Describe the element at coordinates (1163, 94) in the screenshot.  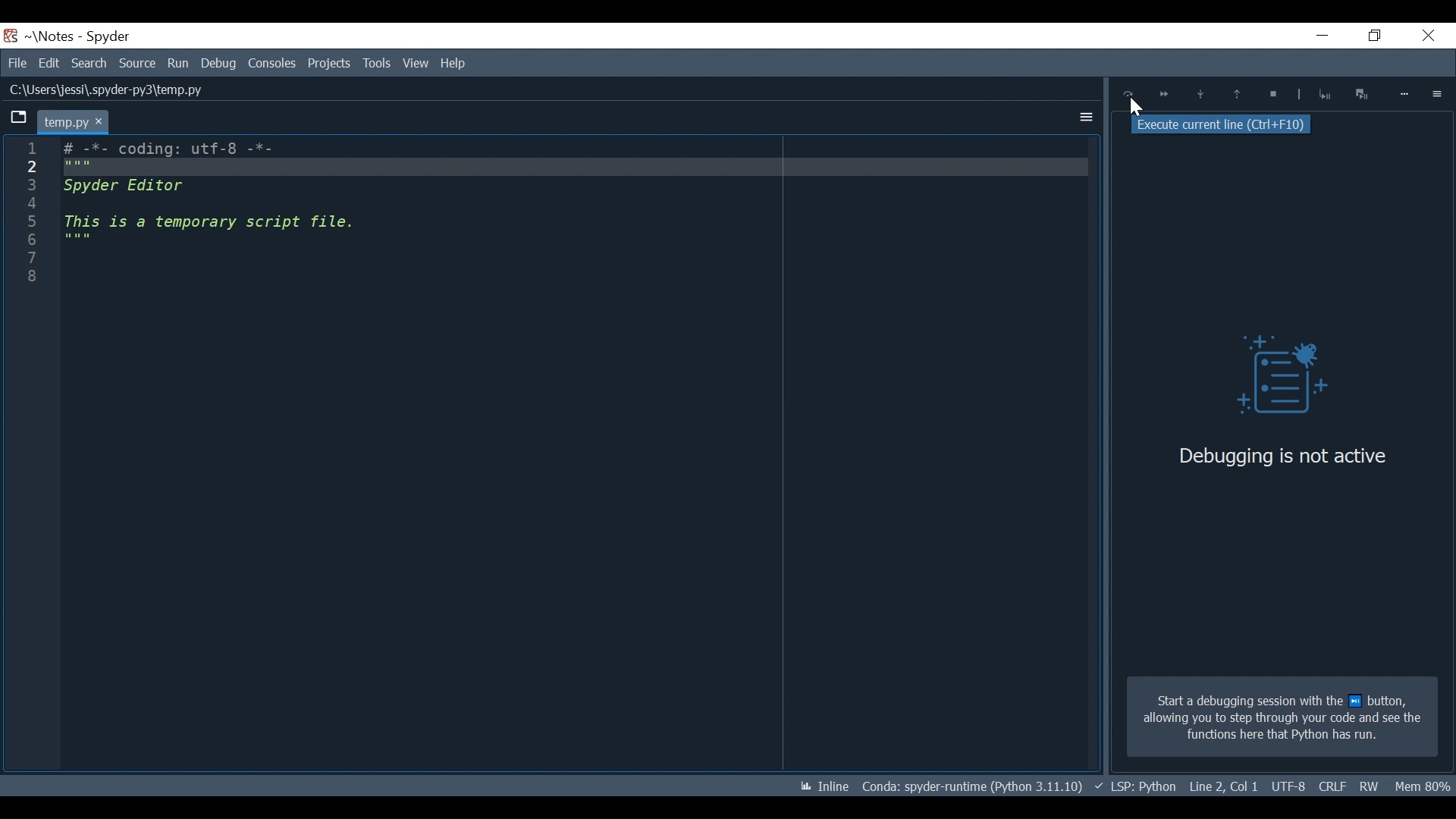
I see `Continue ExecutionUntil next breakpoint` at that location.